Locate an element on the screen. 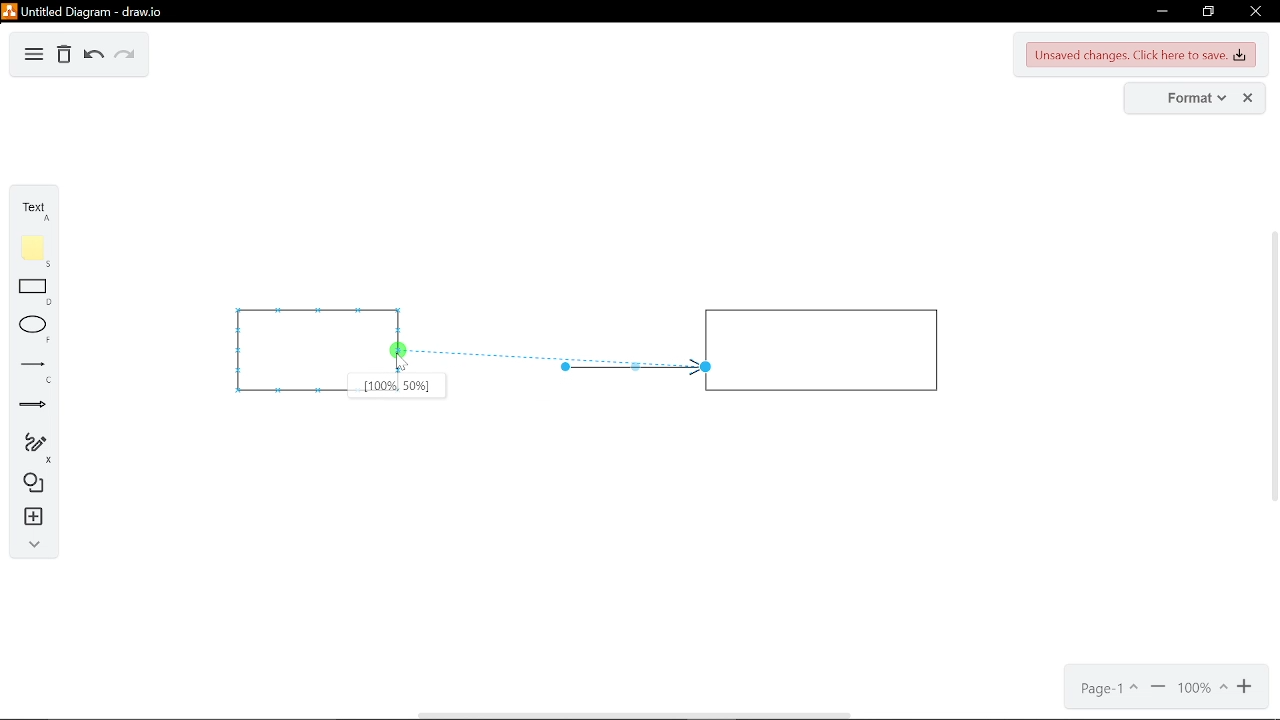 Image resolution: width=1280 pixels, height=720 pixels. format is located at coordinates (1184, 98).